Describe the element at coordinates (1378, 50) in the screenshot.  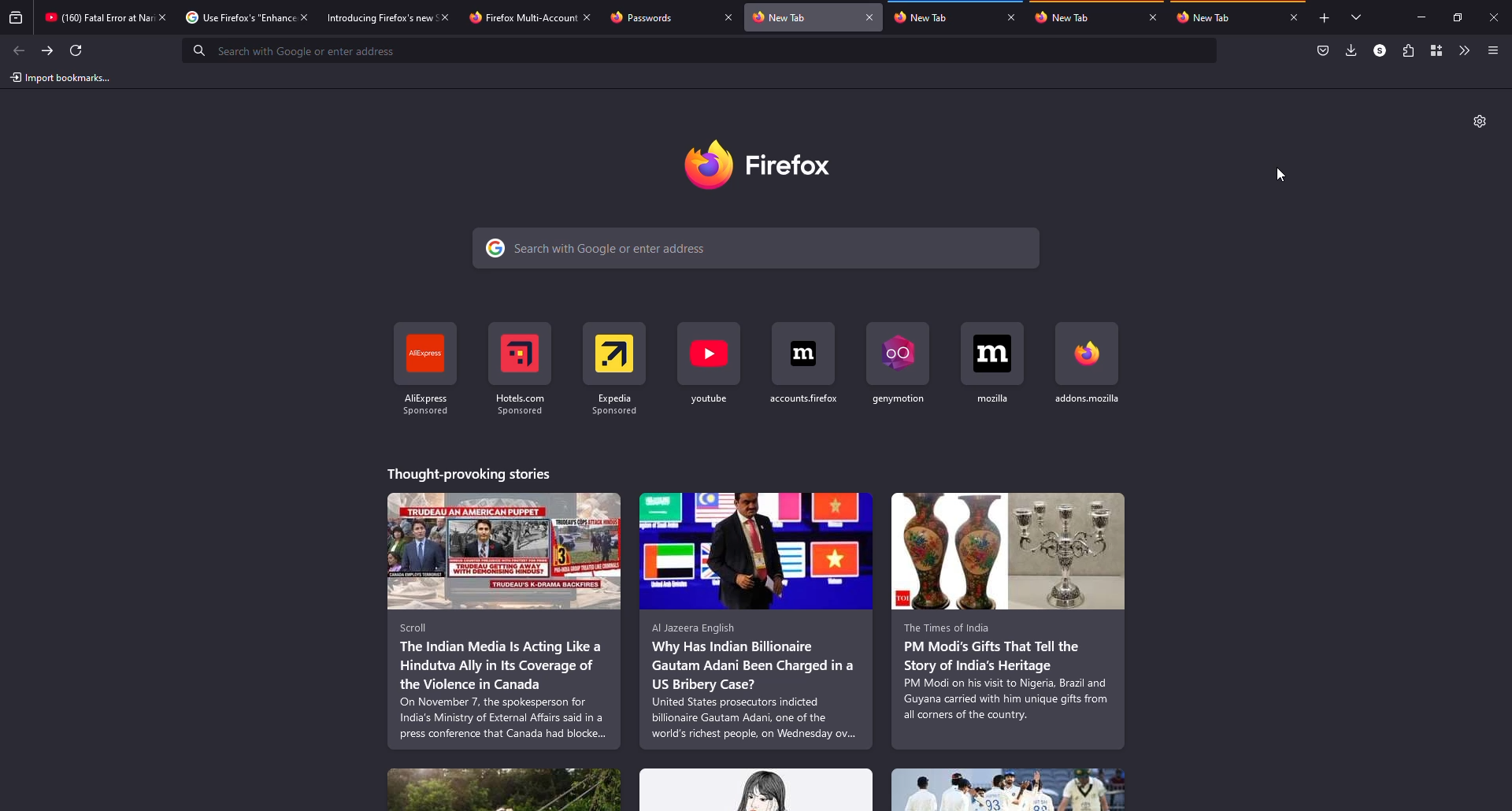
I see `profile` at that location.